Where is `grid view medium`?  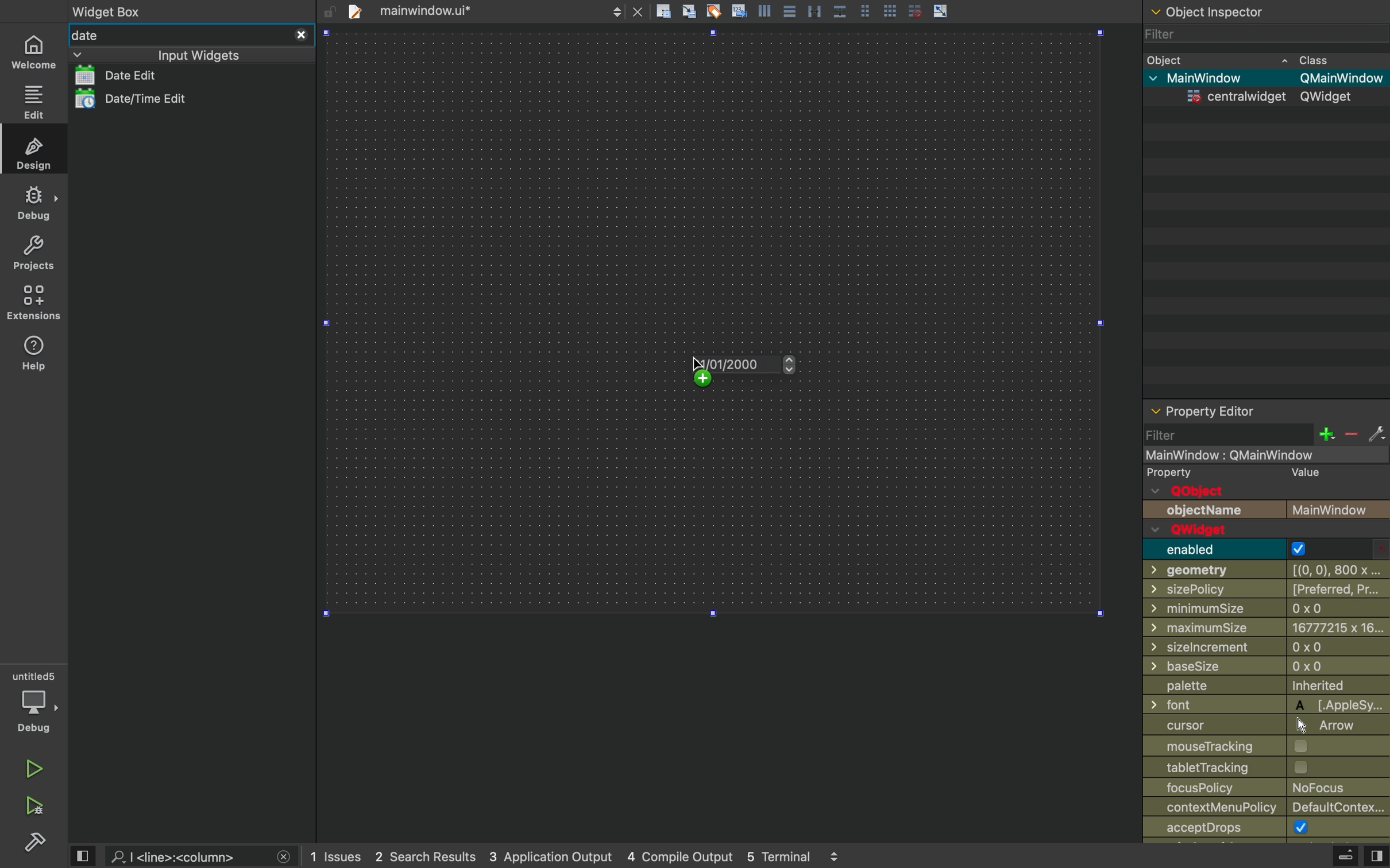
grid view medium is located at coordinates (864, 10).